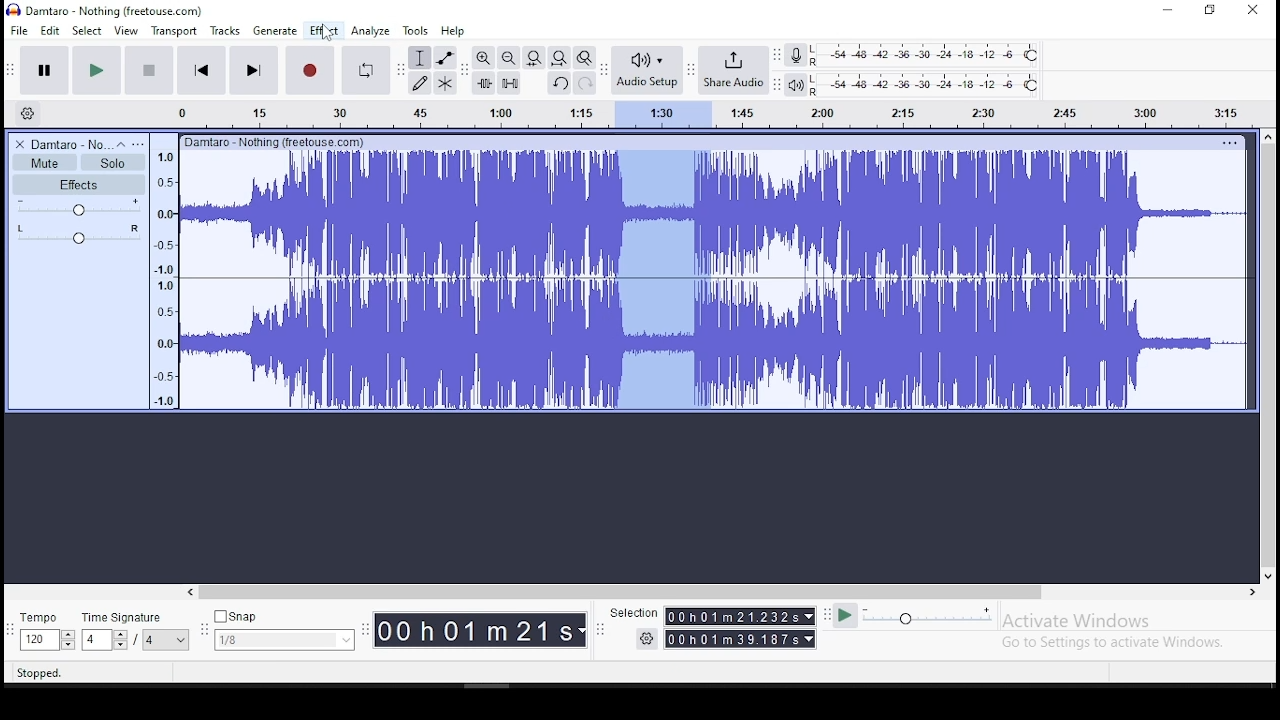 Image resolution: width=1280 pixels, height=720 pixels. Describe the element at coordinates (453, 32) in the screenshot. I see `help` at that location.